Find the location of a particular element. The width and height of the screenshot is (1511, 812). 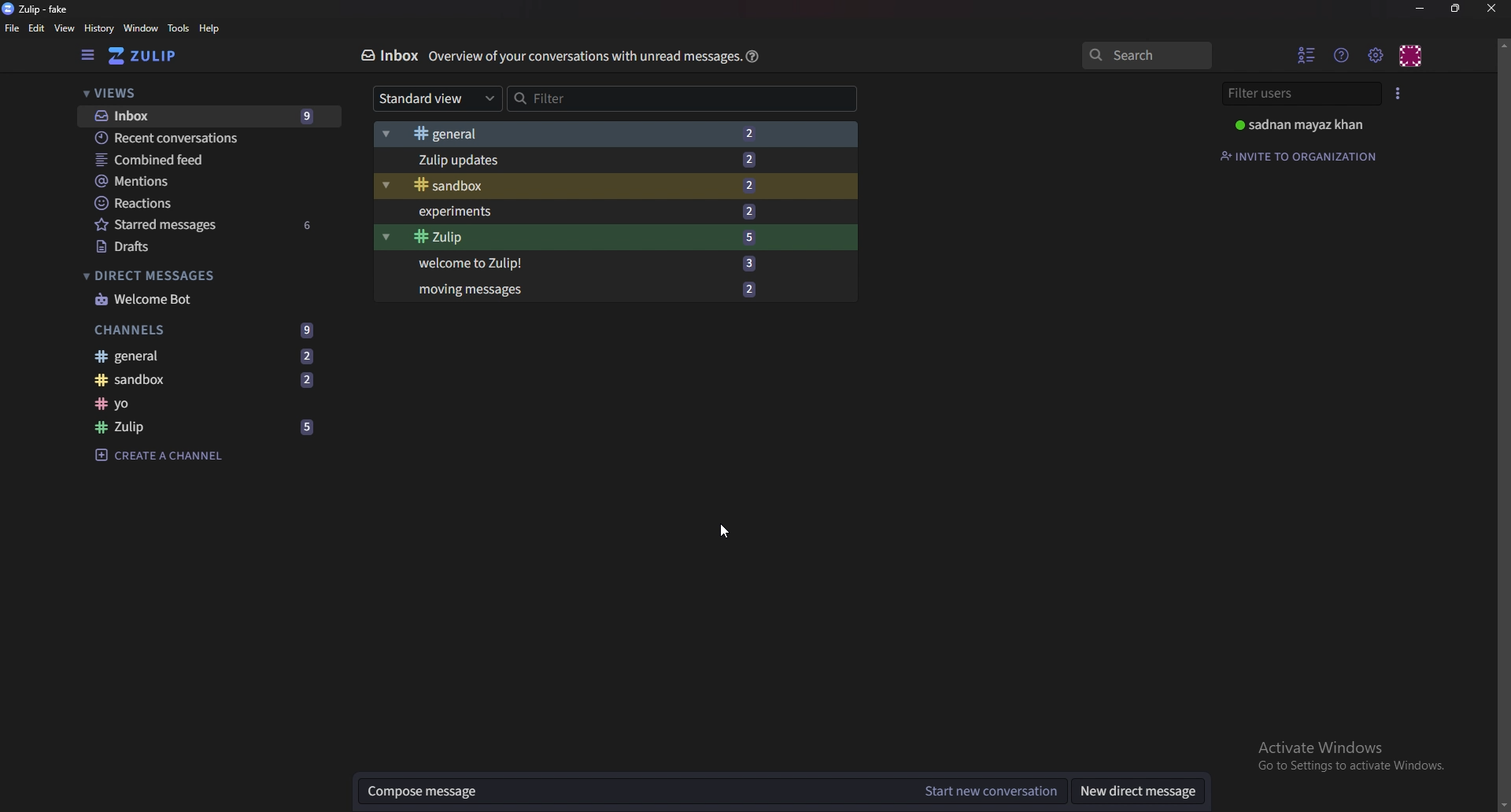

drafts is located at coordinates (199, 245).